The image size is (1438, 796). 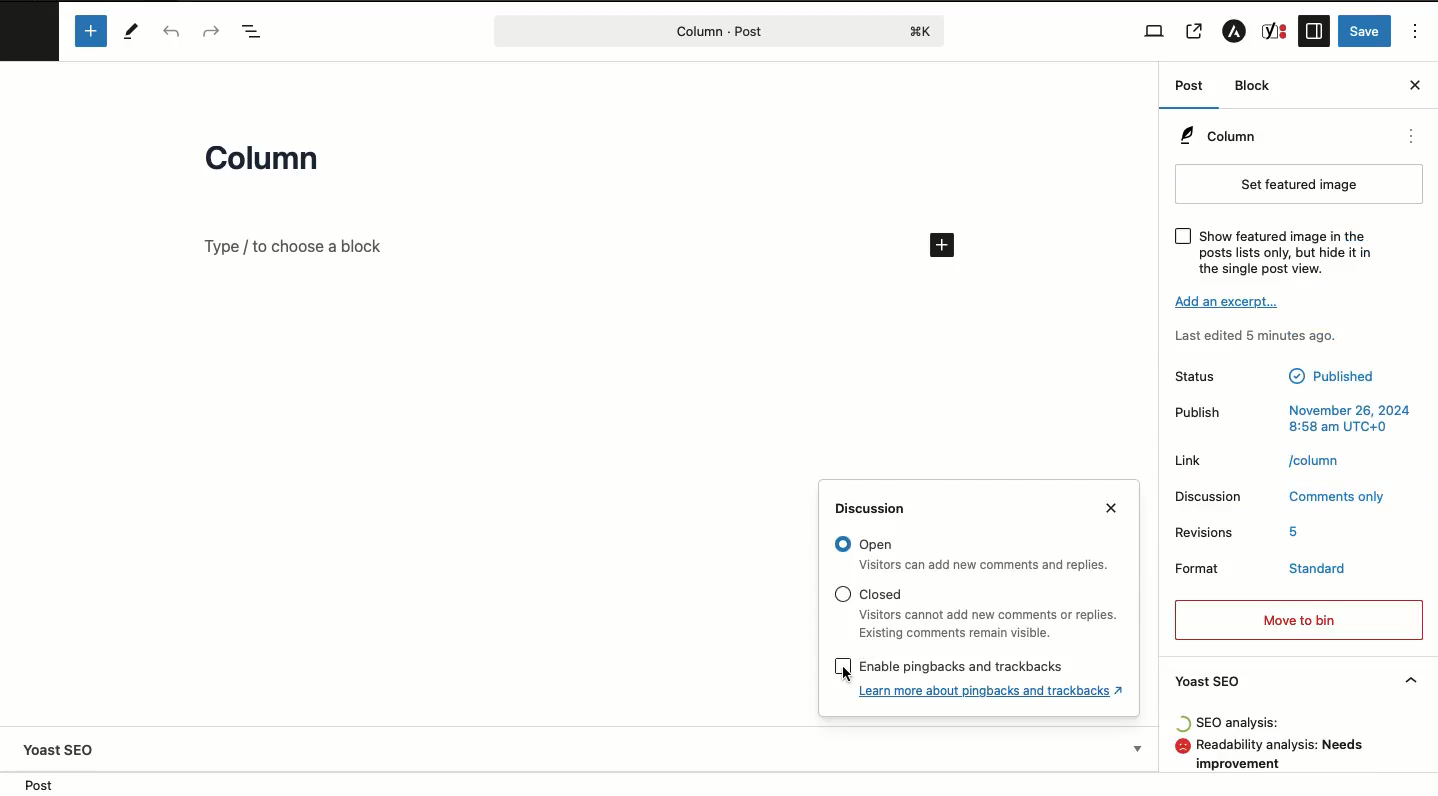 I want to click on Column, so click(x=1218, y=134).